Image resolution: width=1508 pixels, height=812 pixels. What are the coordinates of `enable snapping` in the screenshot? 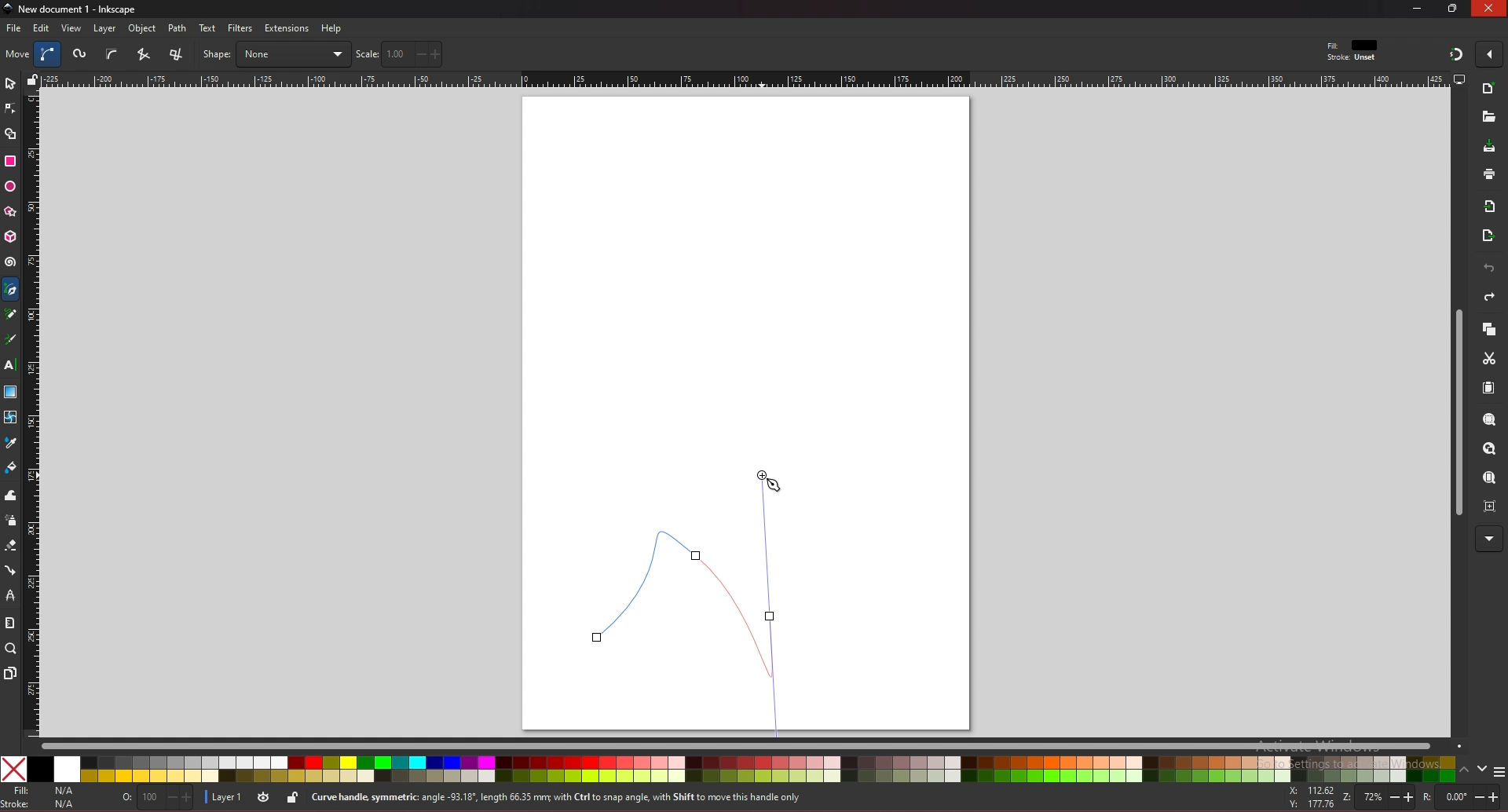 It's located at (1489, 53).